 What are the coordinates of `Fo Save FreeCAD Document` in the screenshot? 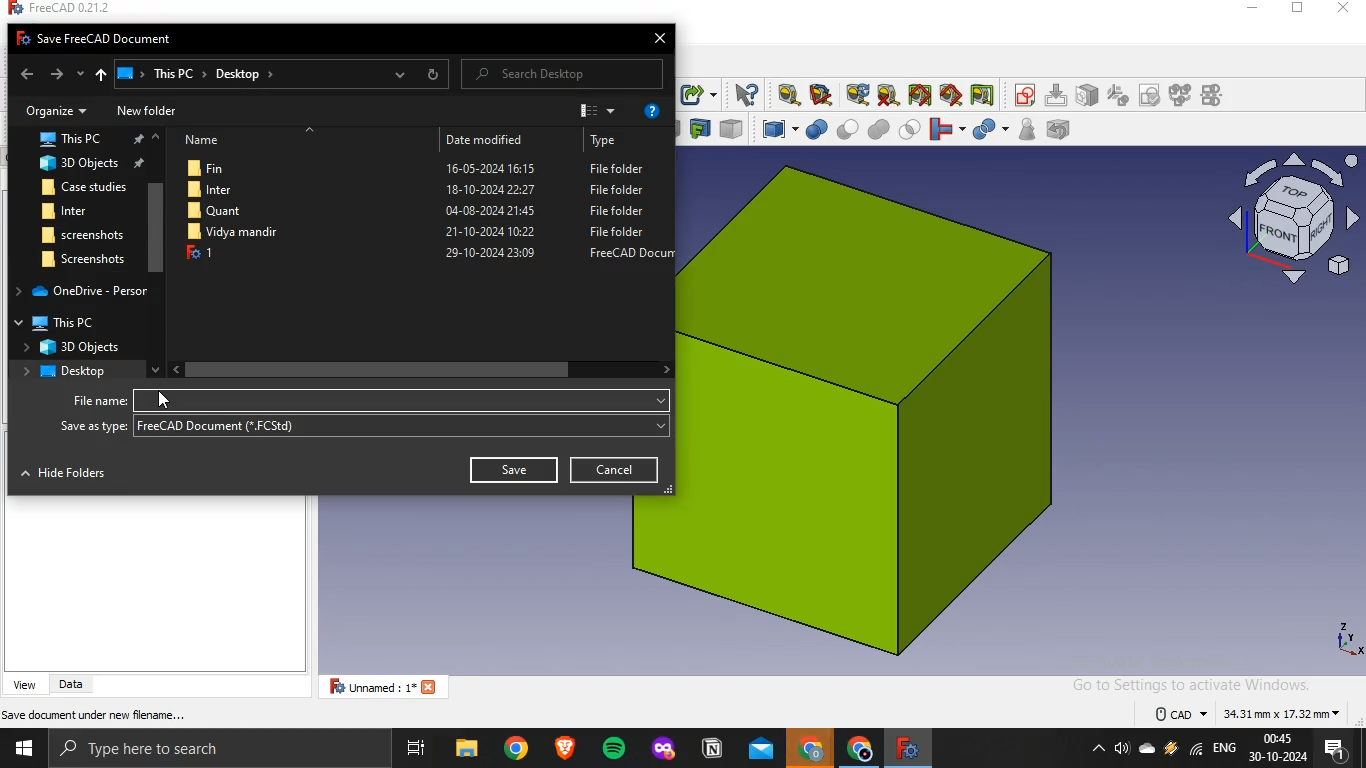 It's located at (95, 39).